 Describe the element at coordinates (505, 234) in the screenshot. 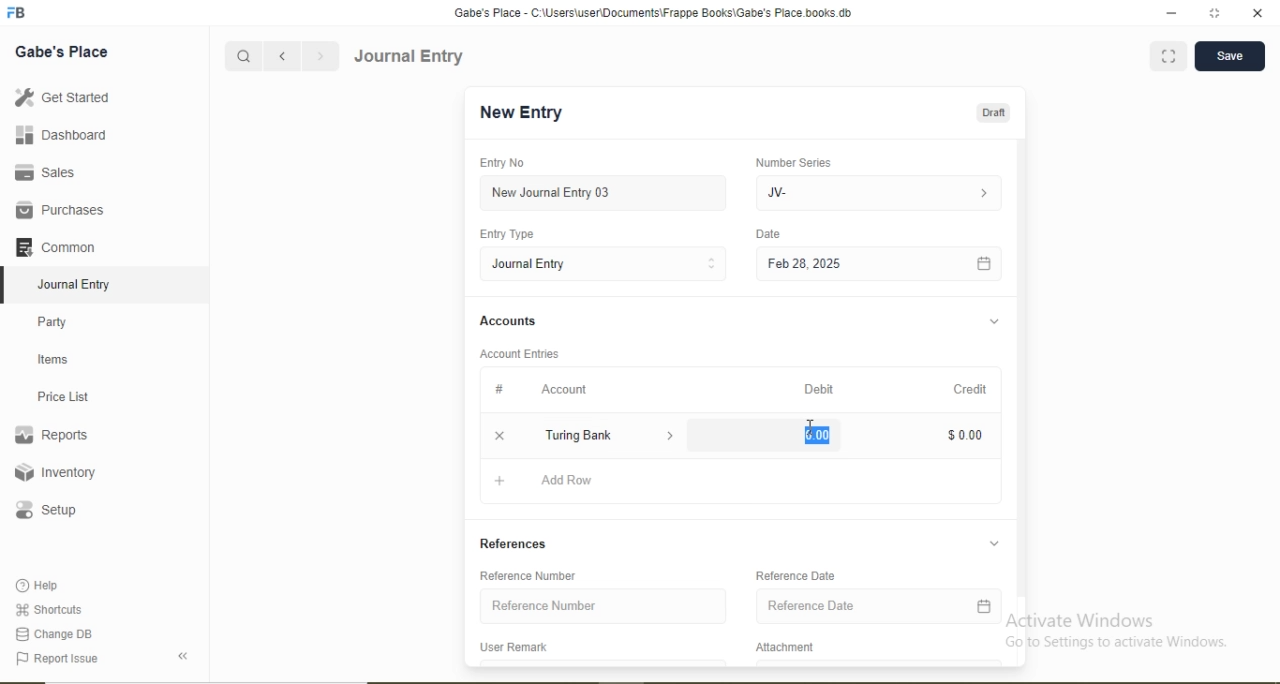

I see `Entry Type` at that location.